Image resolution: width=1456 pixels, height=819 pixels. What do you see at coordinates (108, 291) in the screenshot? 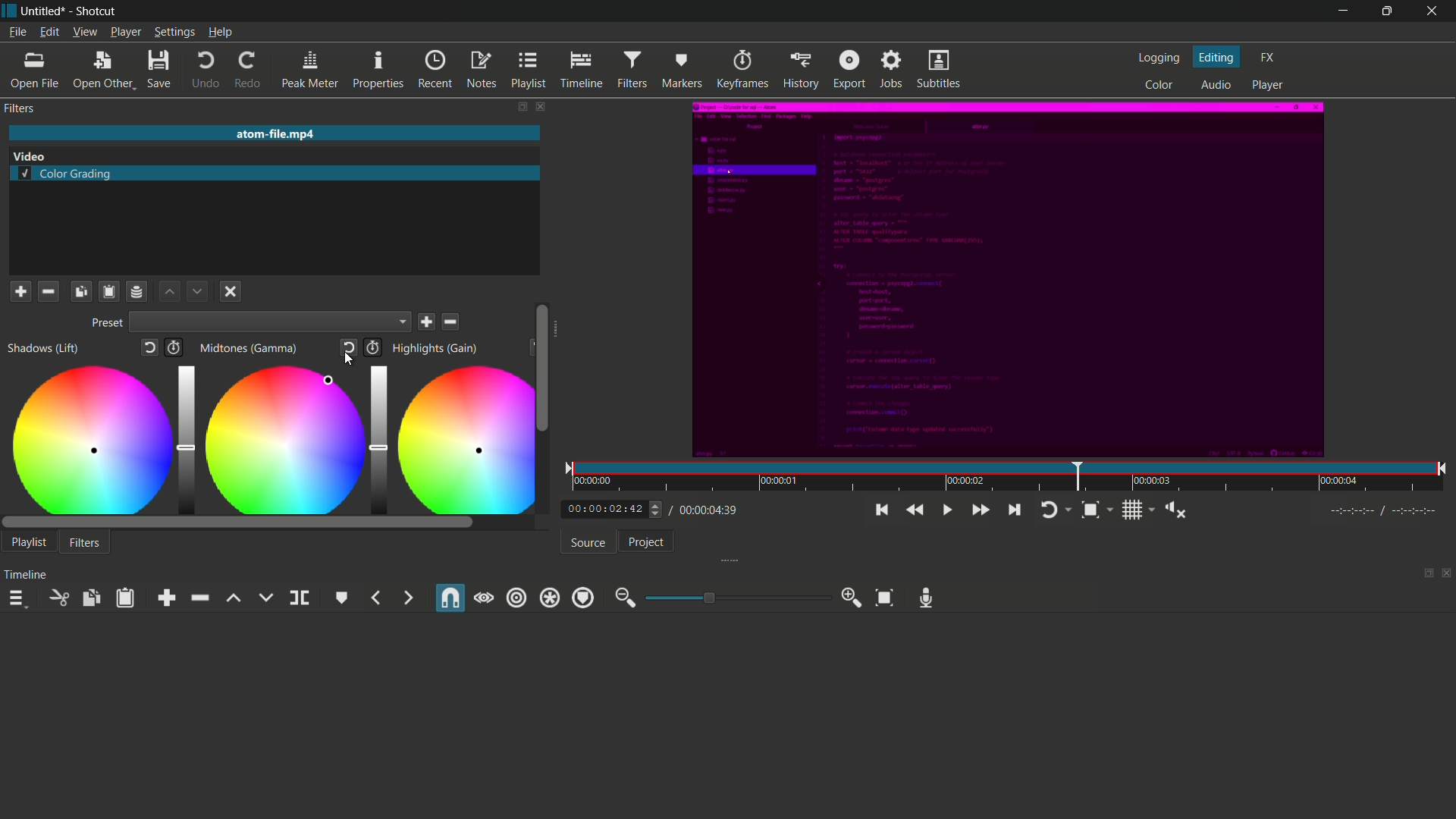
I see `Clipboard` at bounding box center [108, 291].